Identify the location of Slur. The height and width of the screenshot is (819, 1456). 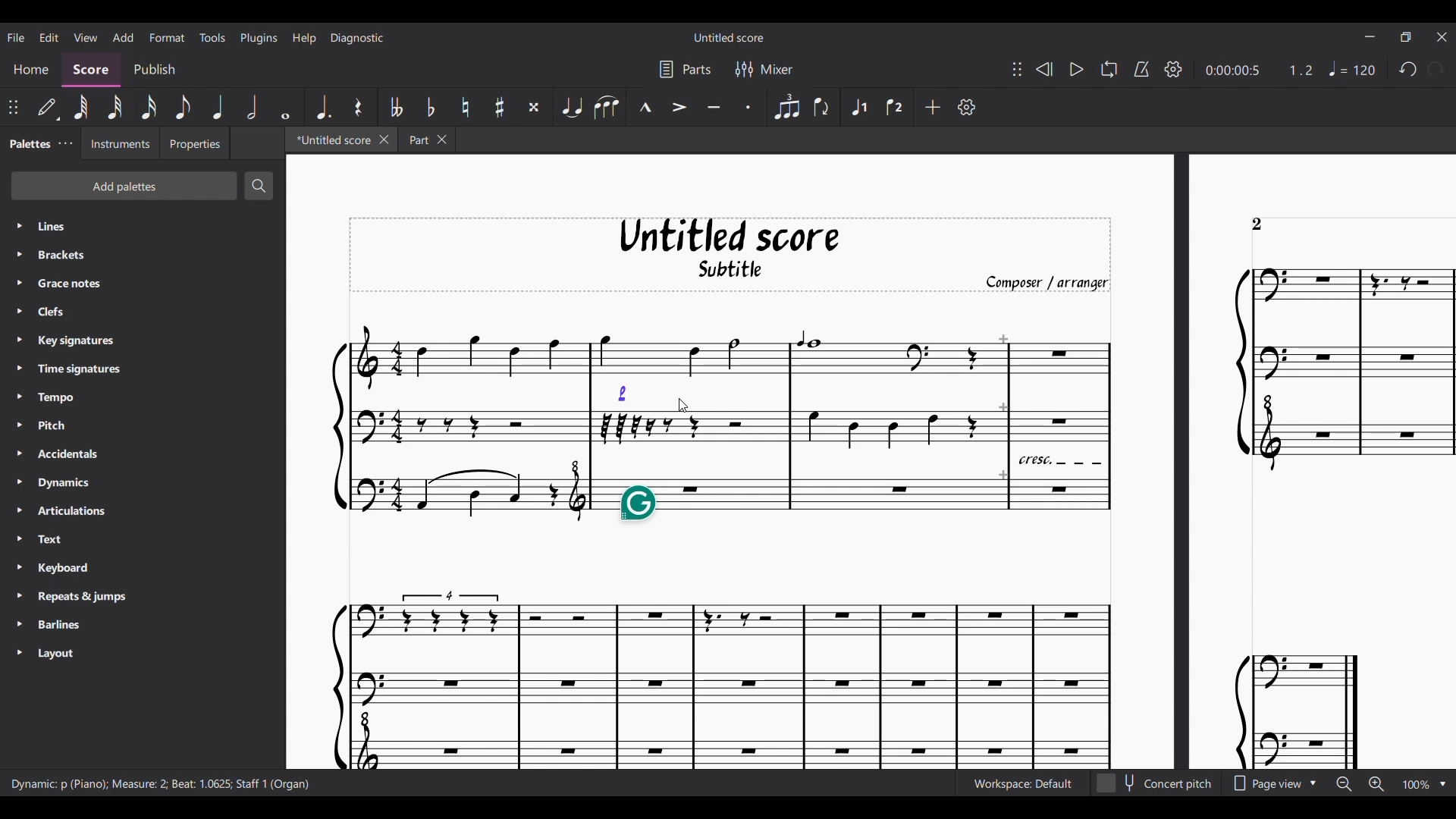
(607, 107).